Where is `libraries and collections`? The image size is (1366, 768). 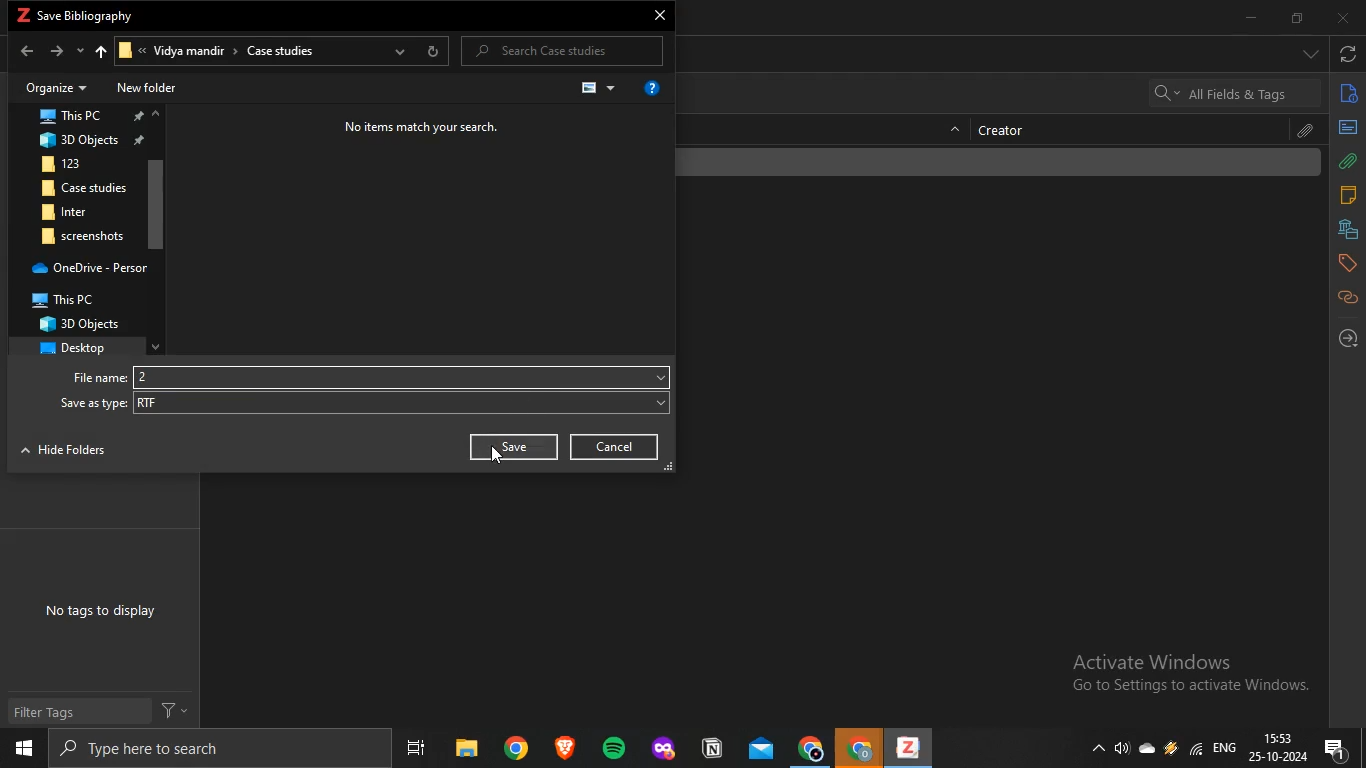 libraries and collections is located at coordinates (1348, 228).